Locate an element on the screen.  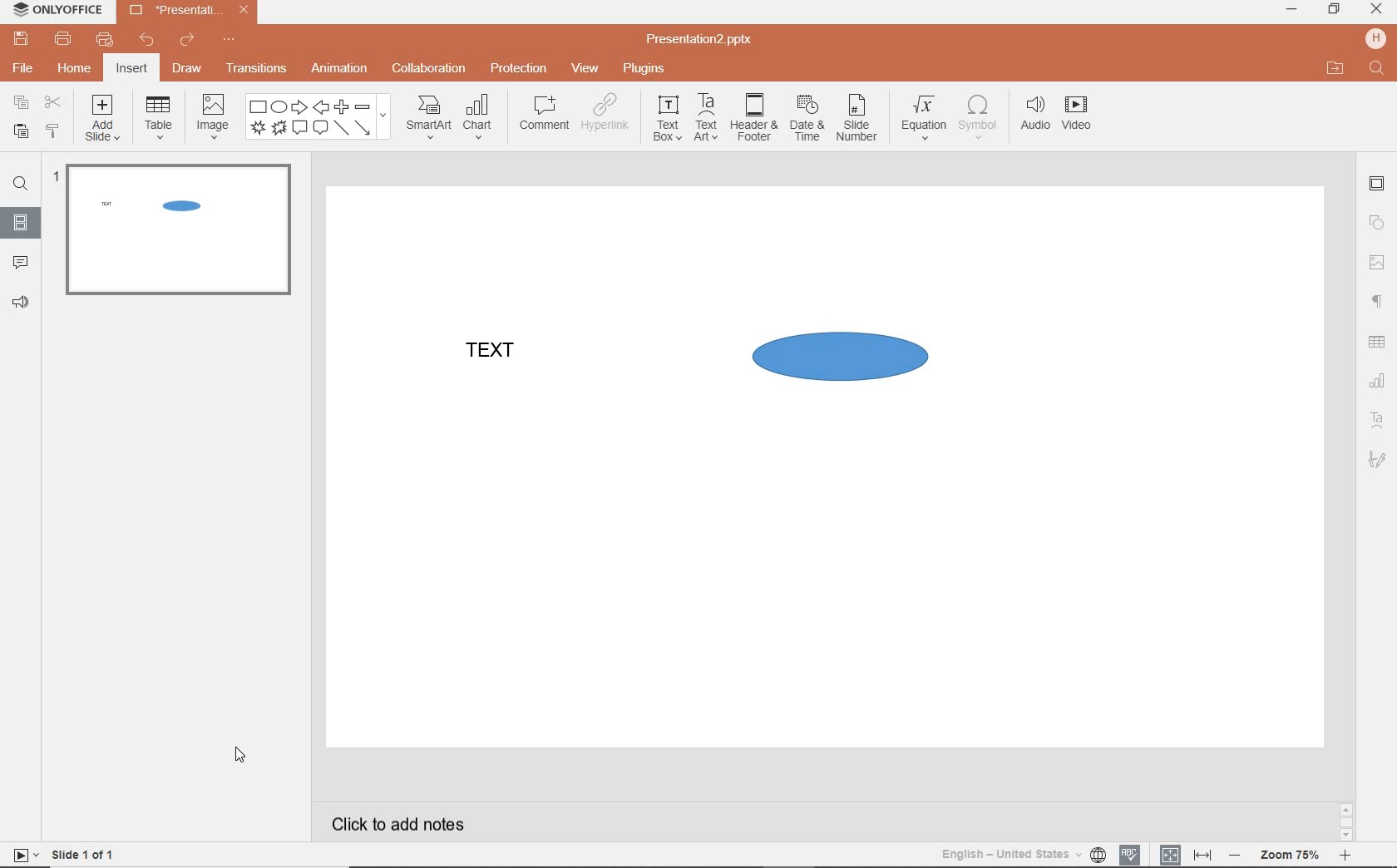
PARAGRAPH SETTINGS is located at coordinates (1378, 303).